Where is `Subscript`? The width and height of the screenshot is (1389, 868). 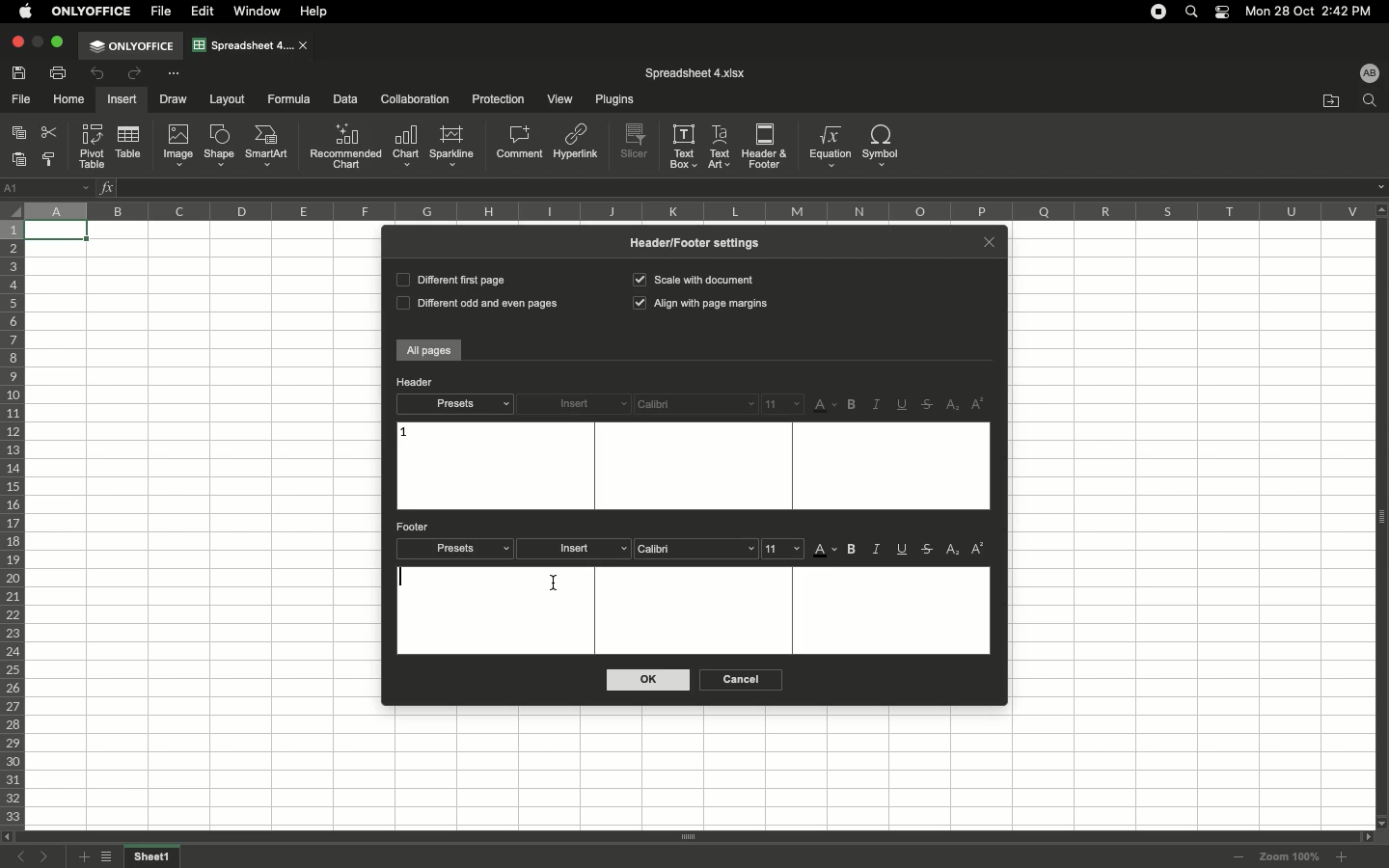 Subscript is located at coordinates (954, 406).